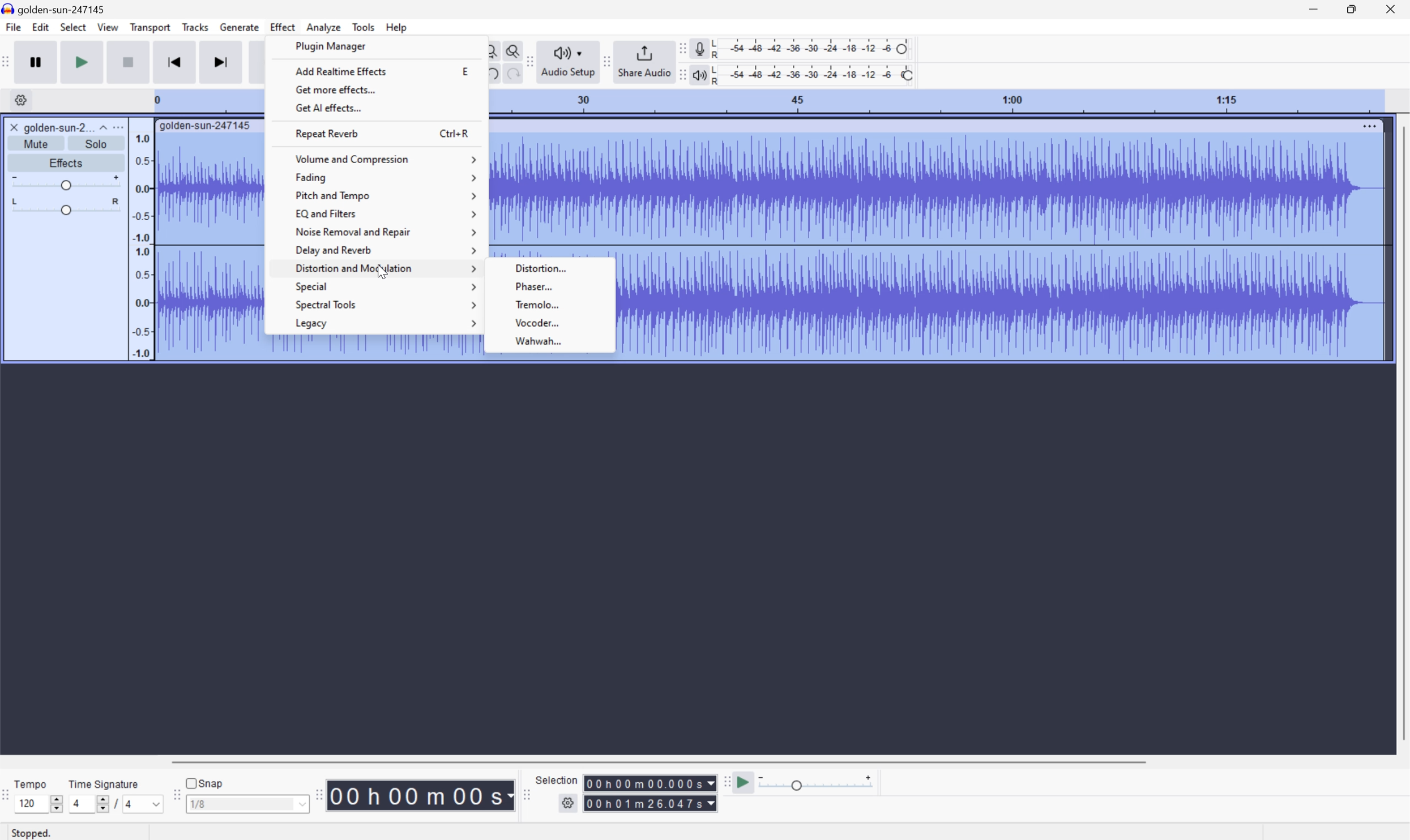 This screenshot has height=840, width=1410. Describe the element at coordinates (66, 183) in the screenshot. I see `Slider` at that location.